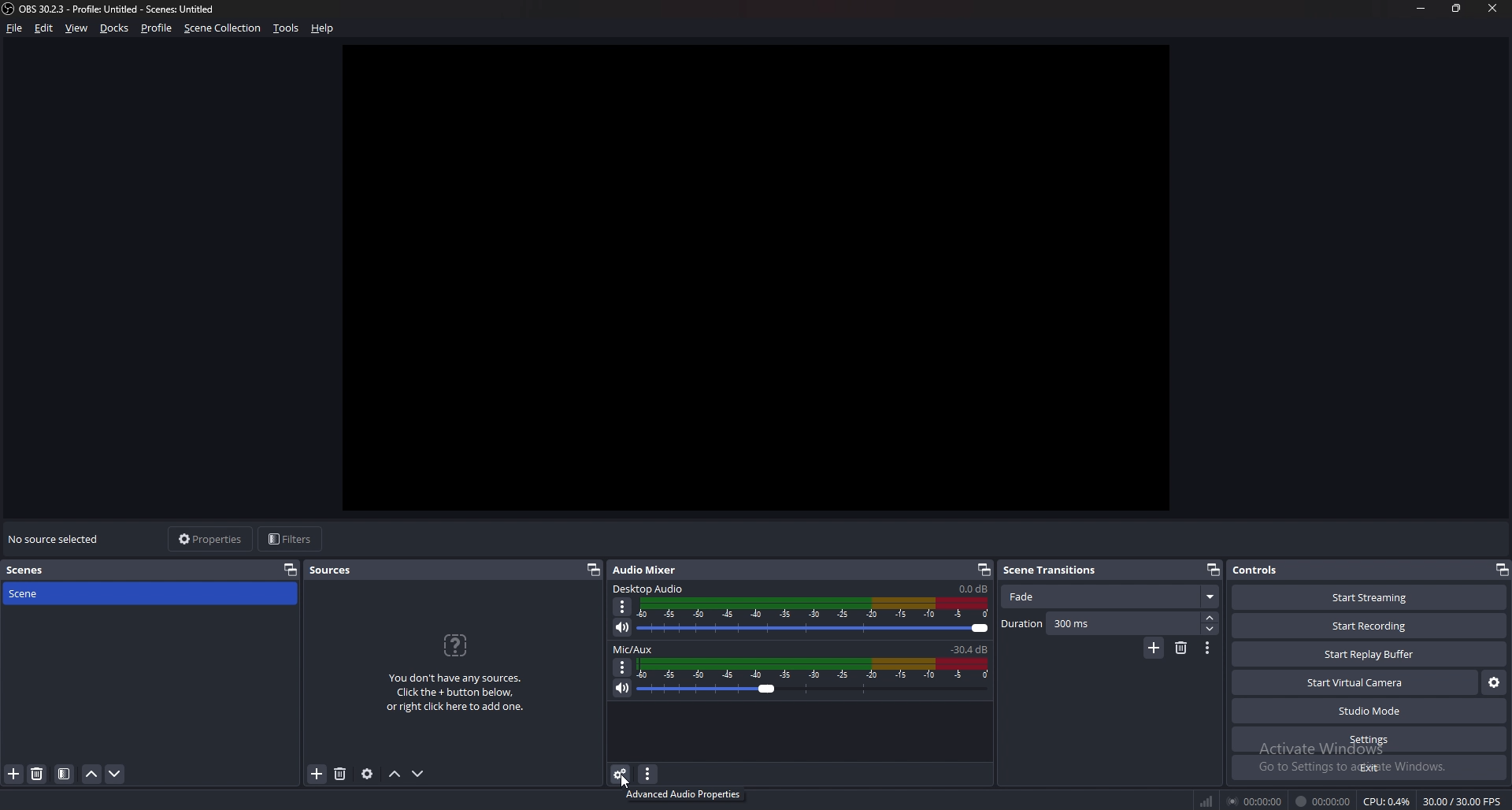  Describe the element at coordinates (1368, 711) in the screenshot. I see `studio mode` at that location.